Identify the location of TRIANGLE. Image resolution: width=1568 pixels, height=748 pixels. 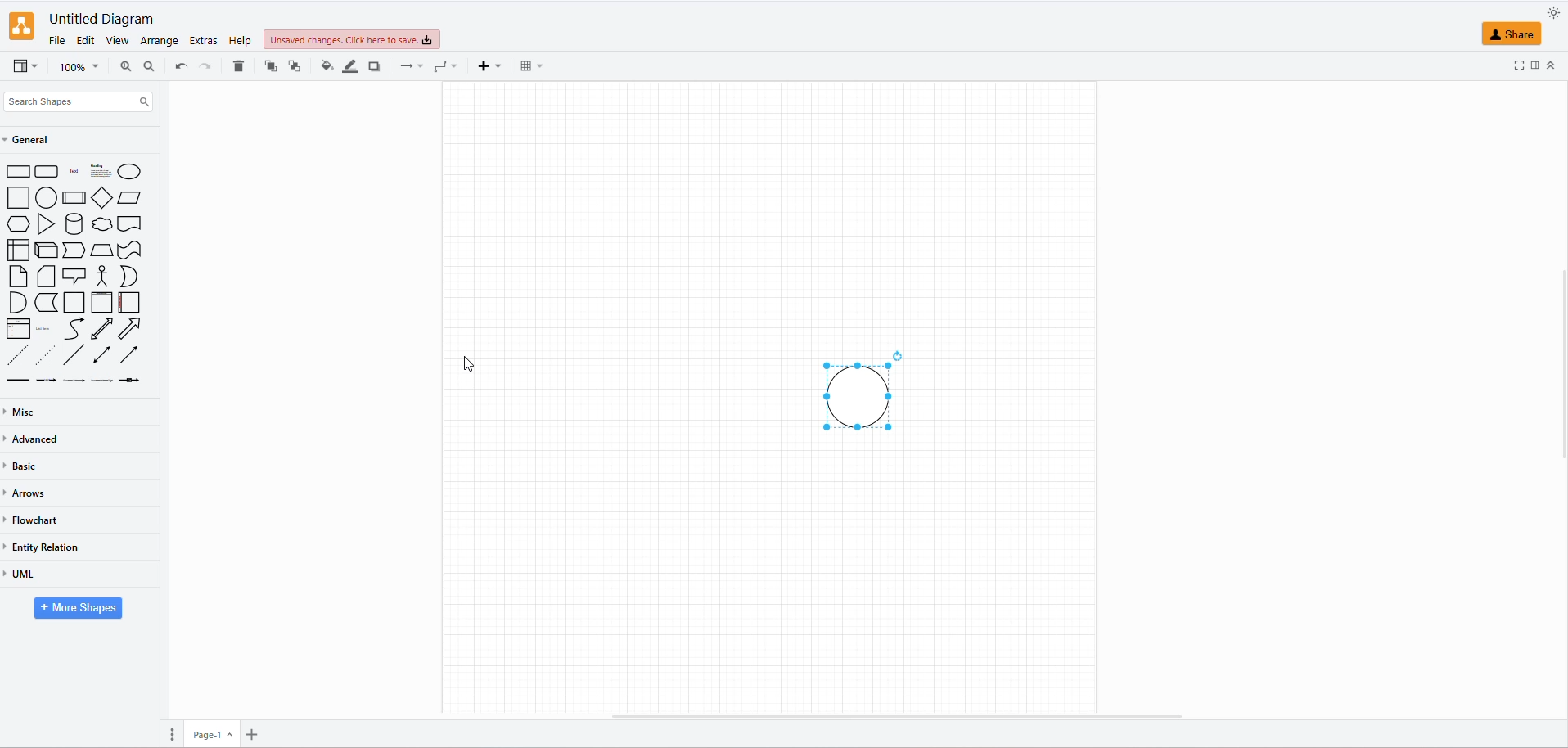
(44, 223).